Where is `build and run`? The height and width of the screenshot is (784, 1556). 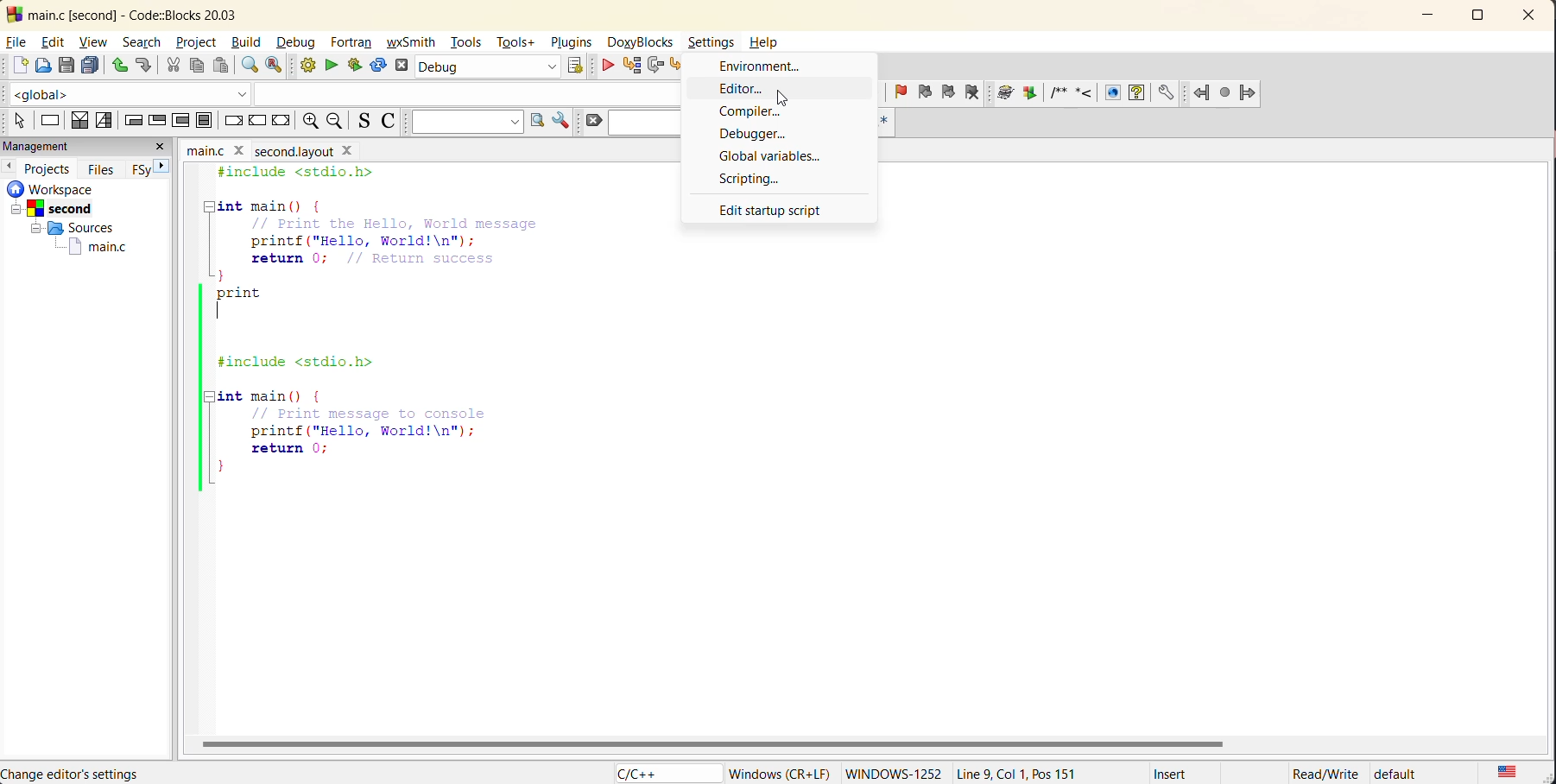
build and run is located at coordinates (355, 66).